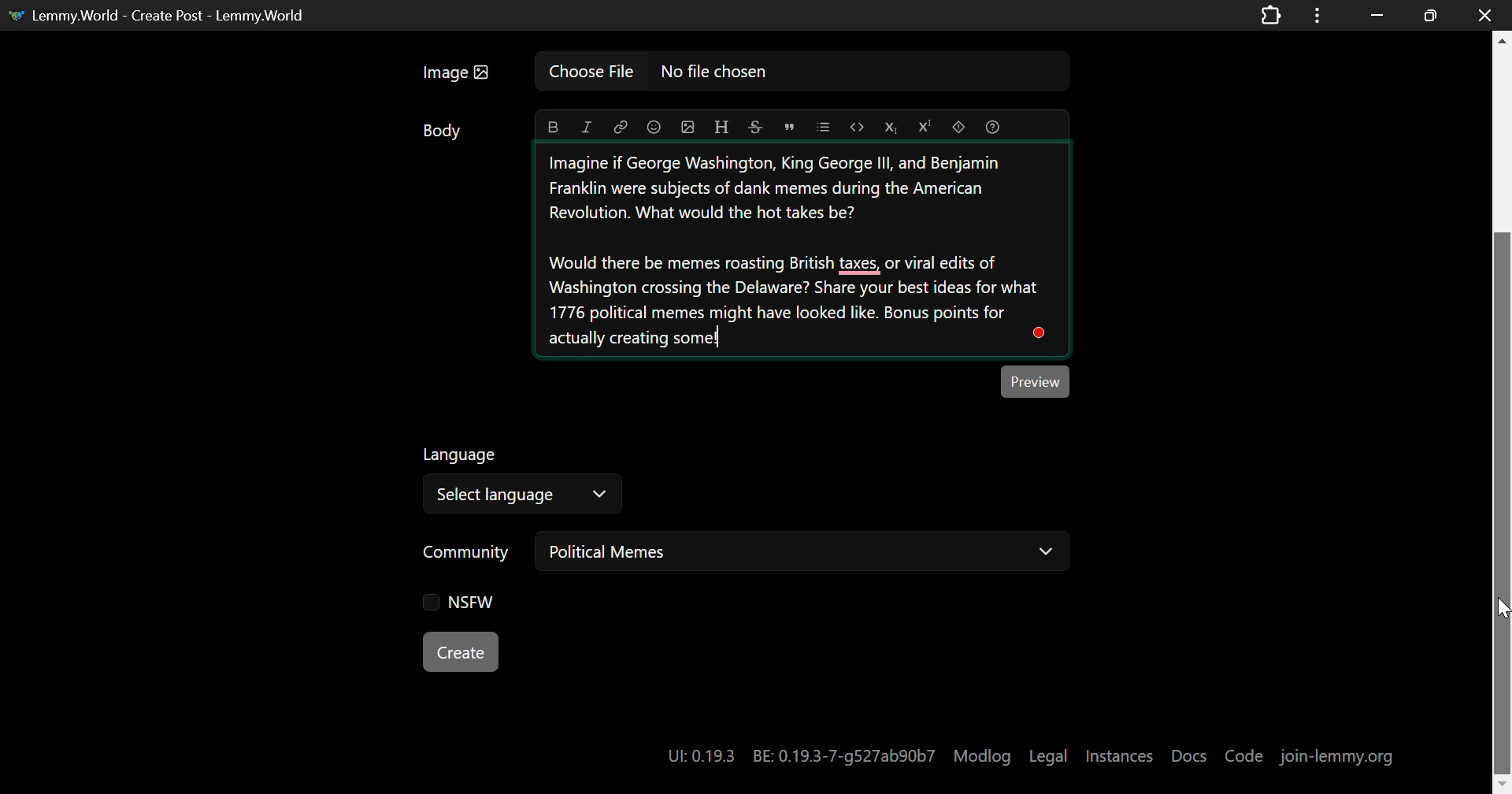 The image size is (1512, 794). Describe the element at coordinates (743, 72) in the screenshot. I see `Insert Image Field` at that location.